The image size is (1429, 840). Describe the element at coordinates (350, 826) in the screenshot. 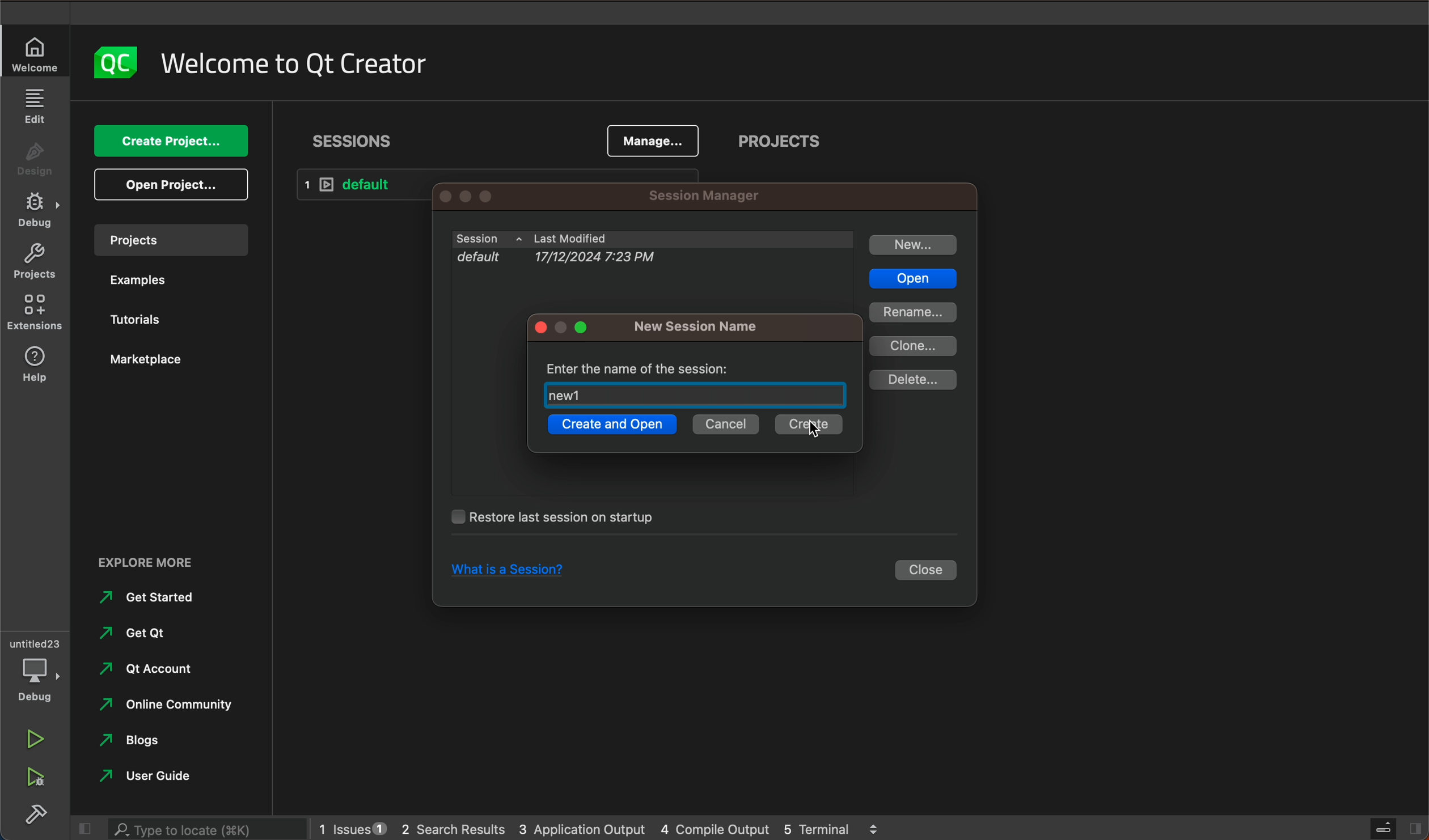

I see `issues` at that location.